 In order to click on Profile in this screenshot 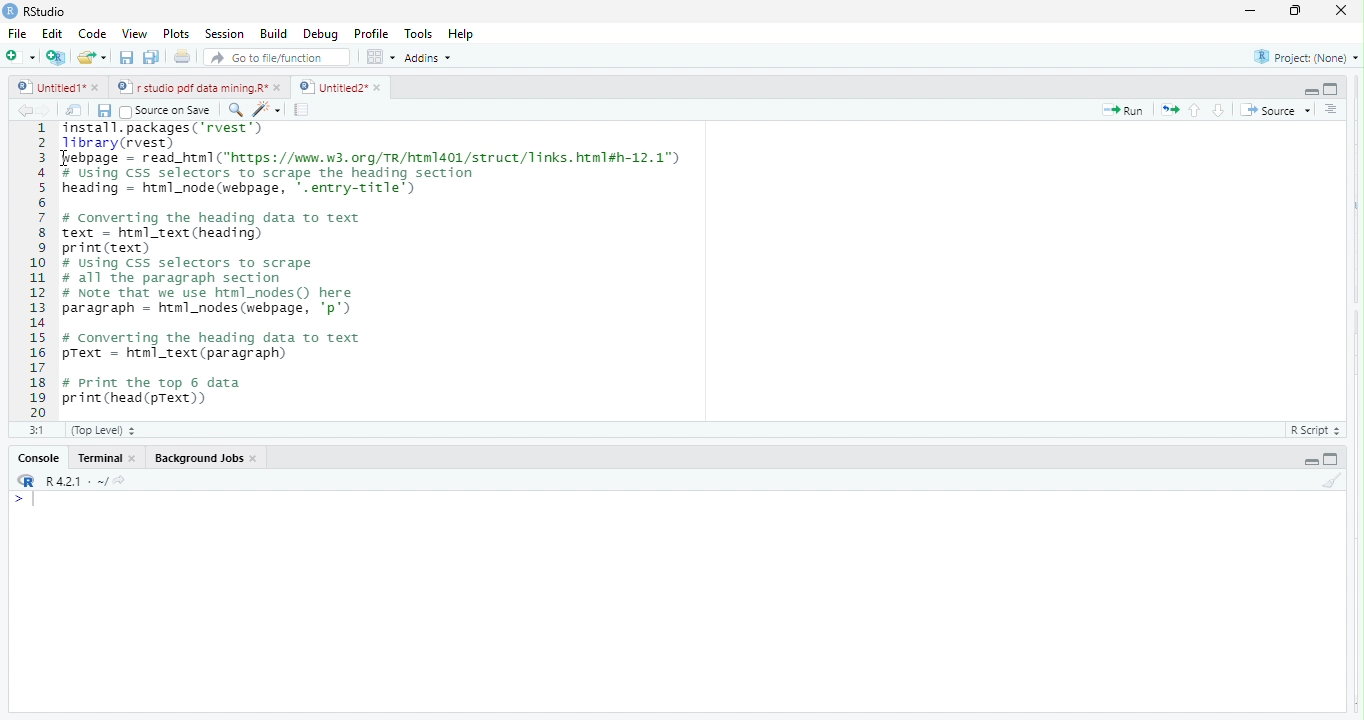, I will do `click(375, 35)`.